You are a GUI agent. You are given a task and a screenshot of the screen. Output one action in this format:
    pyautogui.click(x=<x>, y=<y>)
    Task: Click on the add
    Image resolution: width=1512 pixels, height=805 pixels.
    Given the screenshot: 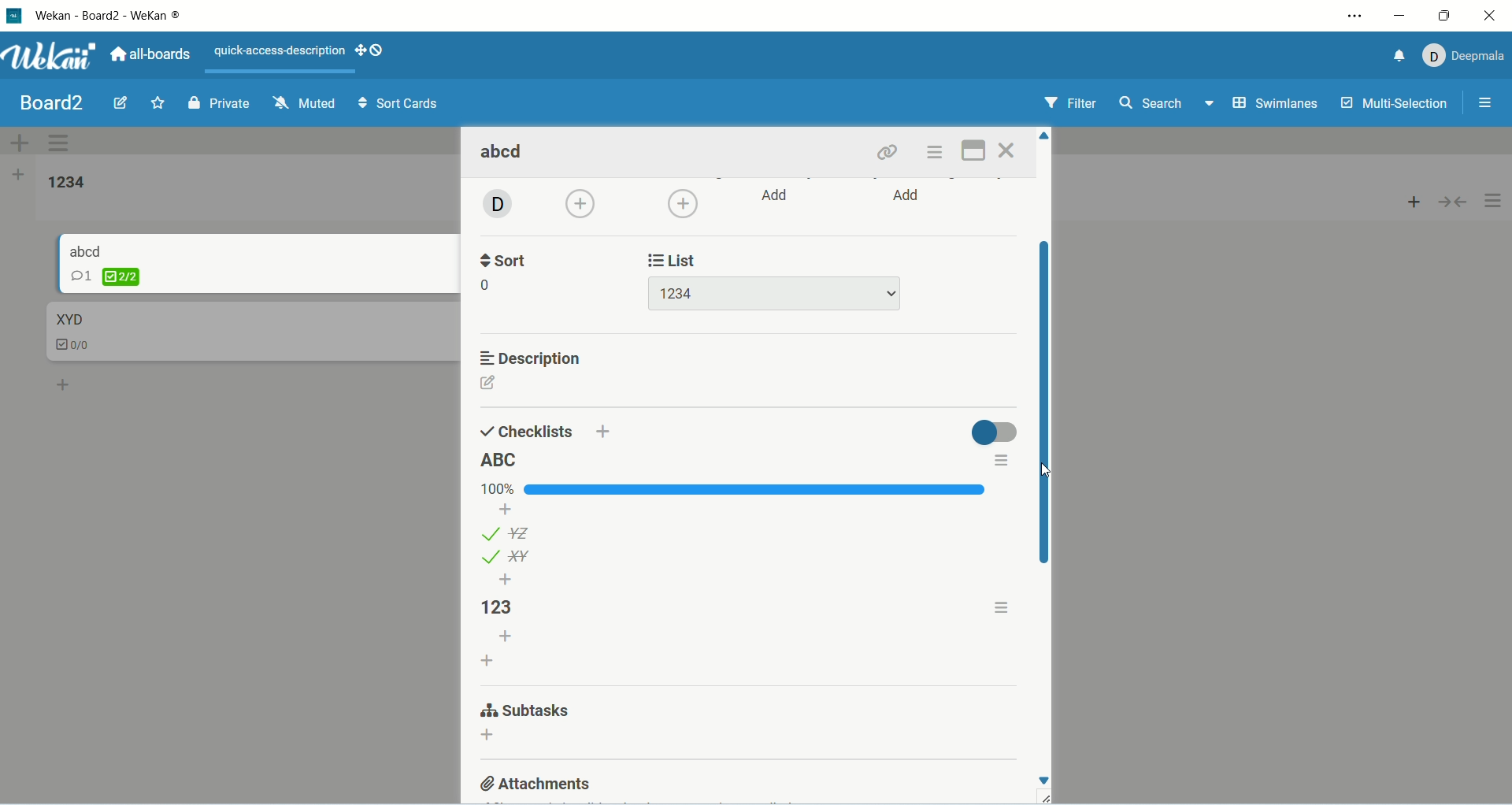 What is the action you would take?
    pyautogui.click(x=604, y=430)
    